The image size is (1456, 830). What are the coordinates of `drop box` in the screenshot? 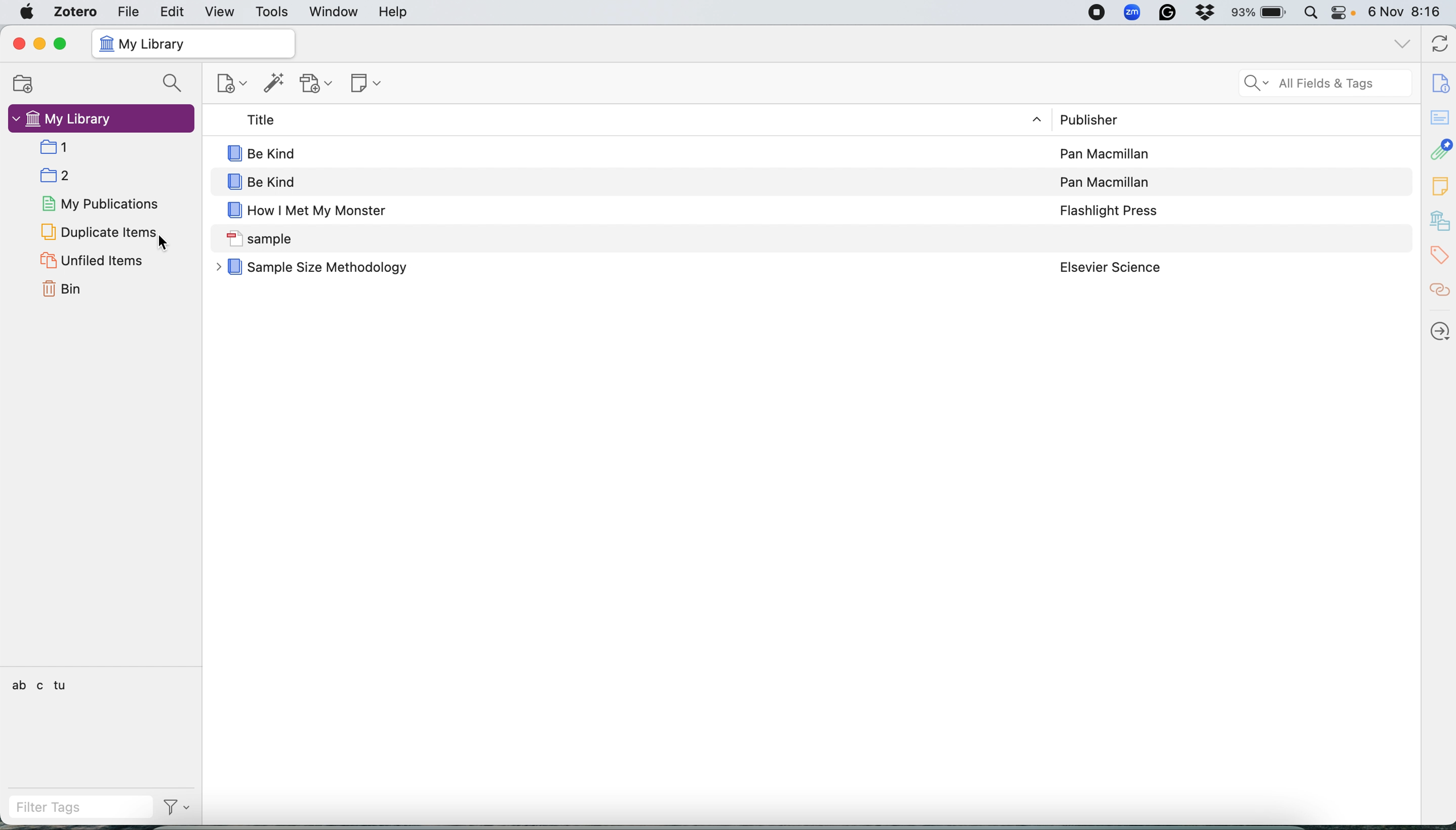 It's located at (1208, 13).